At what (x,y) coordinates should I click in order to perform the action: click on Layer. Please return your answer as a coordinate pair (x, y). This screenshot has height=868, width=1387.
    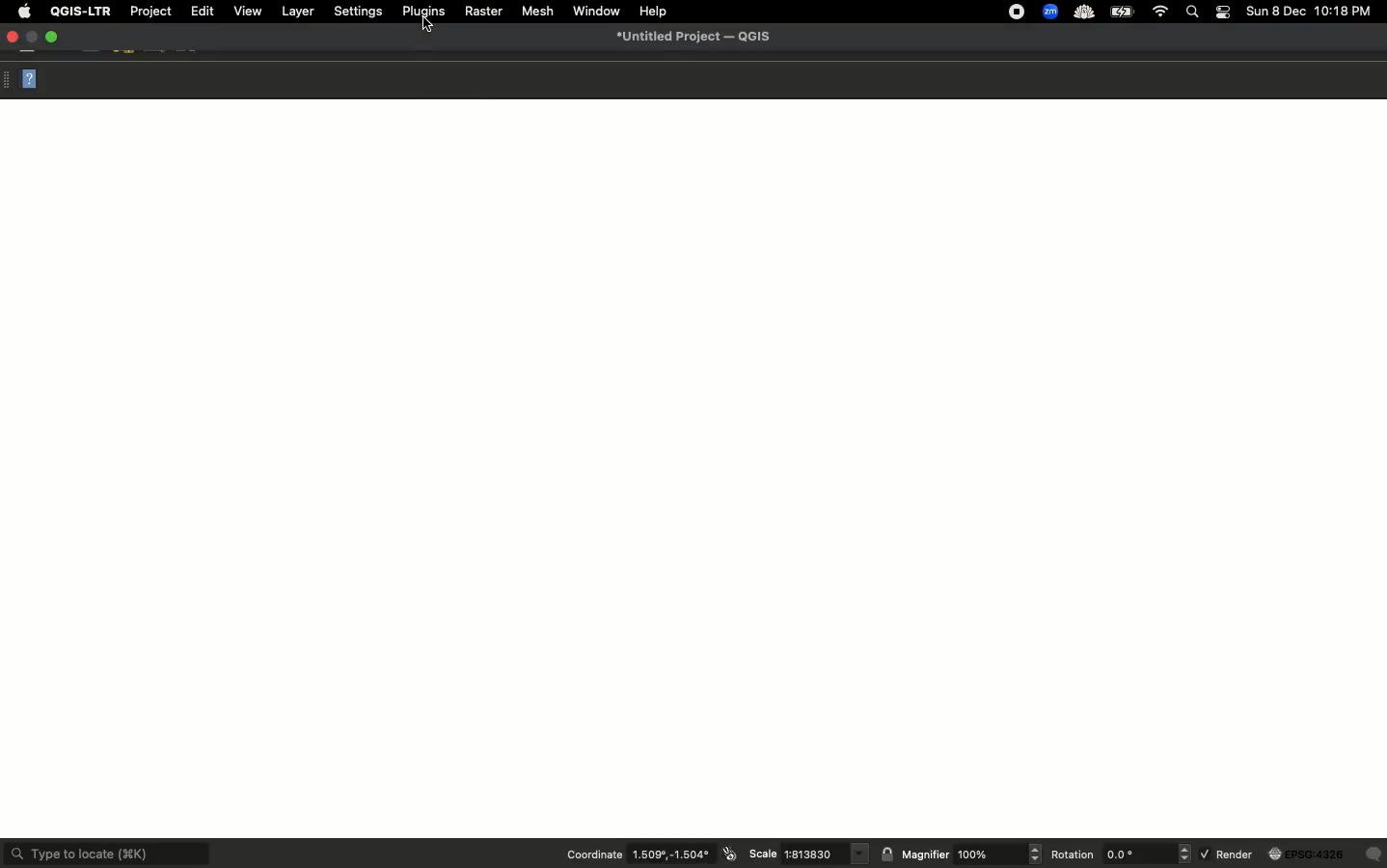
    Looking at the image, I should click on (300, 11).